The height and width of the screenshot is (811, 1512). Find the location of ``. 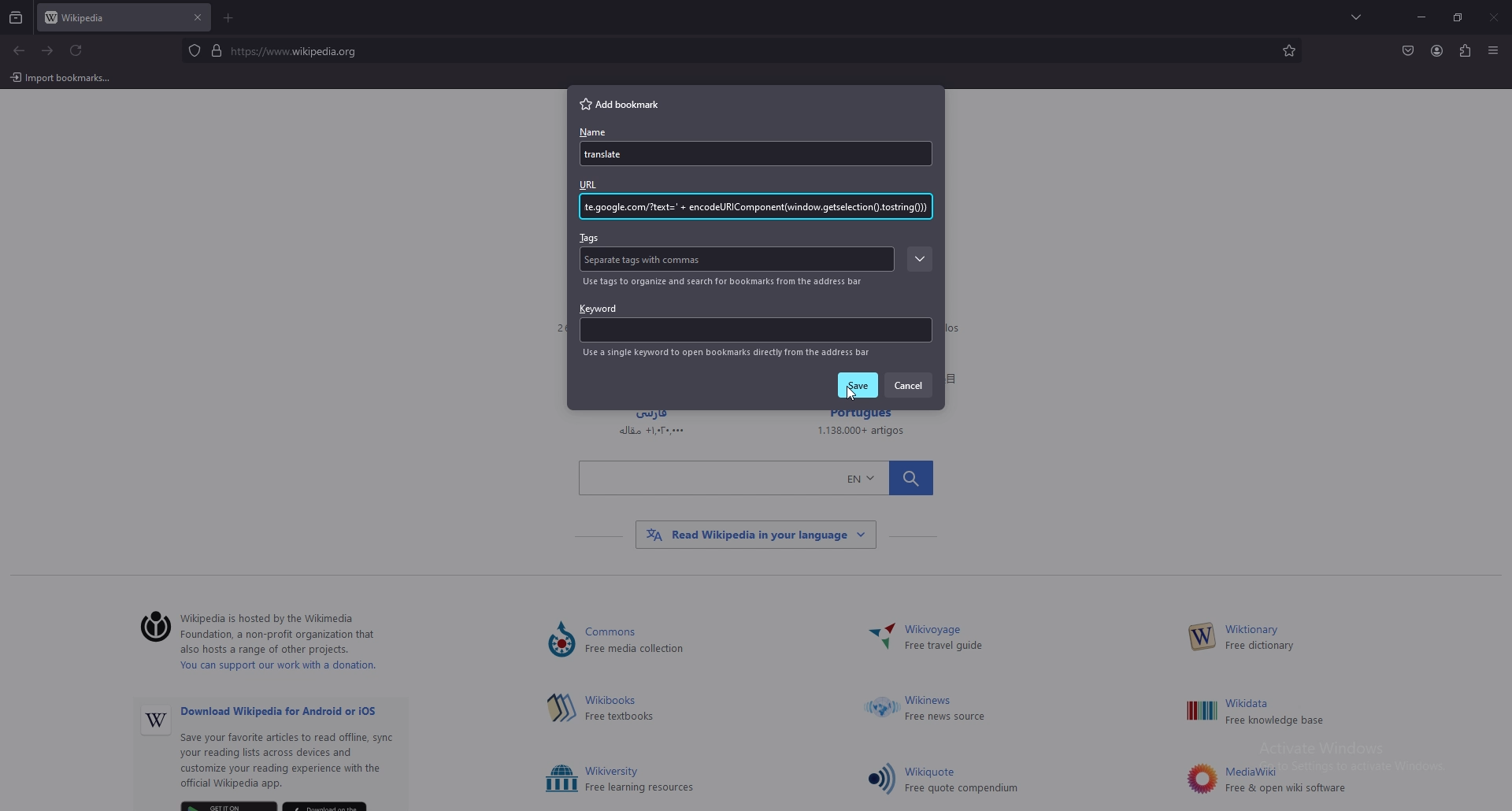

 is located at coordinates (1288, 780).